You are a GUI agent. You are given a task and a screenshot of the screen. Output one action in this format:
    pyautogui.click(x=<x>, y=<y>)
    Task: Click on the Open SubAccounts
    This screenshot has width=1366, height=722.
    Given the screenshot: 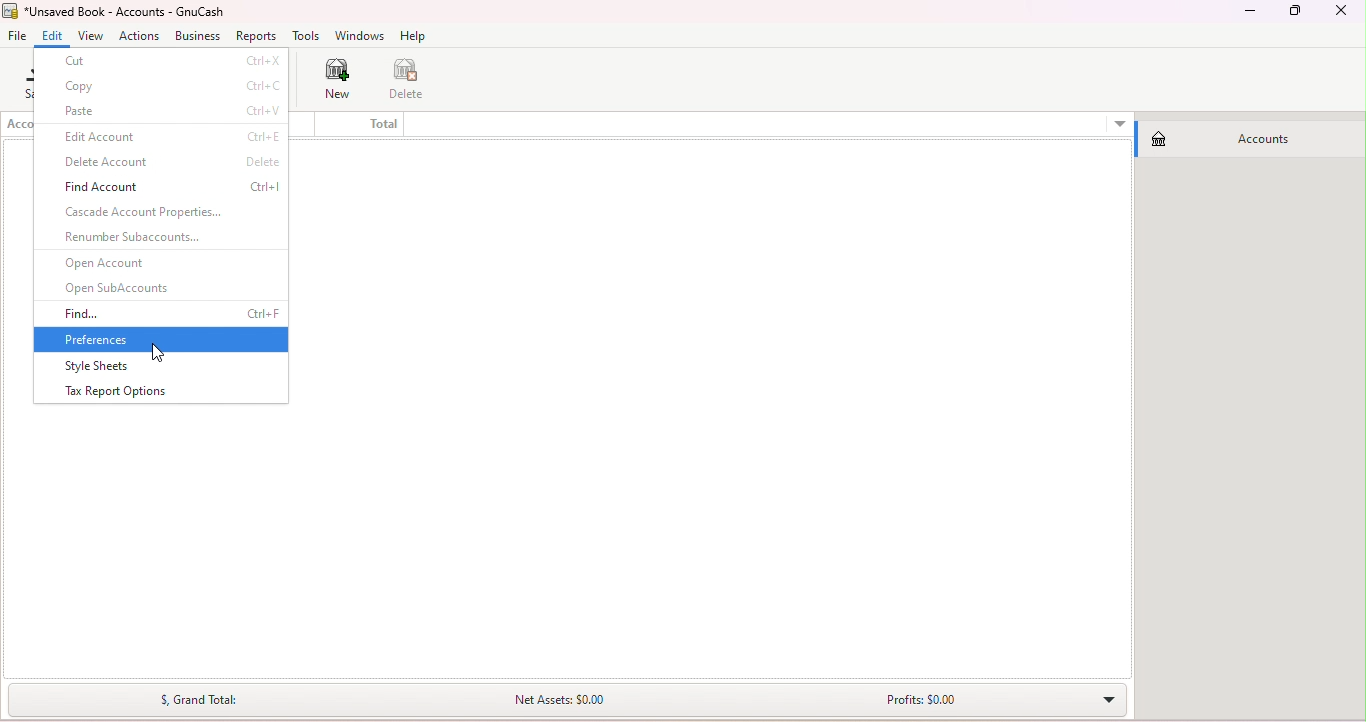 What is the action you would take?
    pyautogui.click(x=141, y=289)
    